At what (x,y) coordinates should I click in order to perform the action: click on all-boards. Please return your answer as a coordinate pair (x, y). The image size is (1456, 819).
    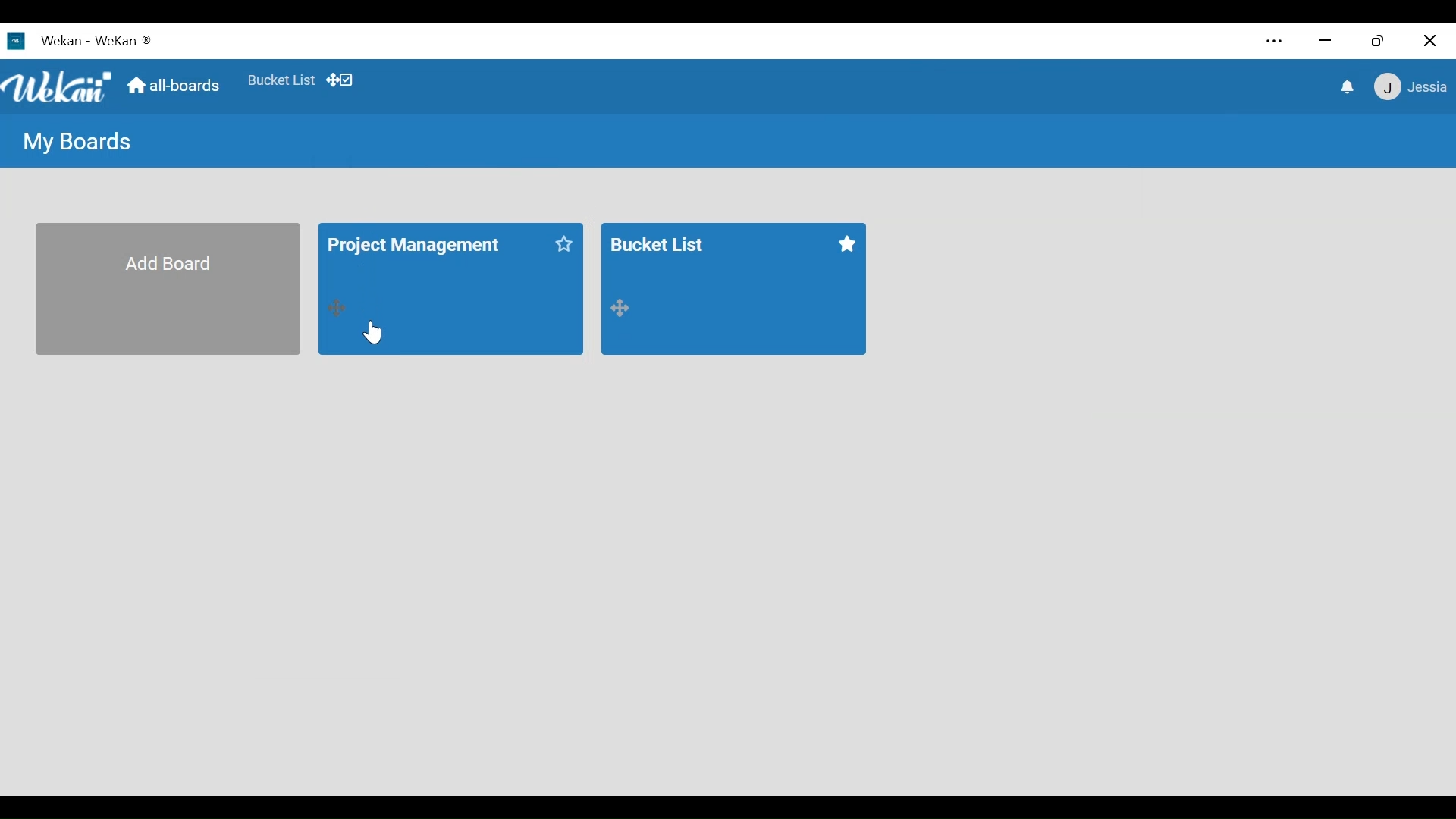
    Looking at the image, I should click on (171, 85).